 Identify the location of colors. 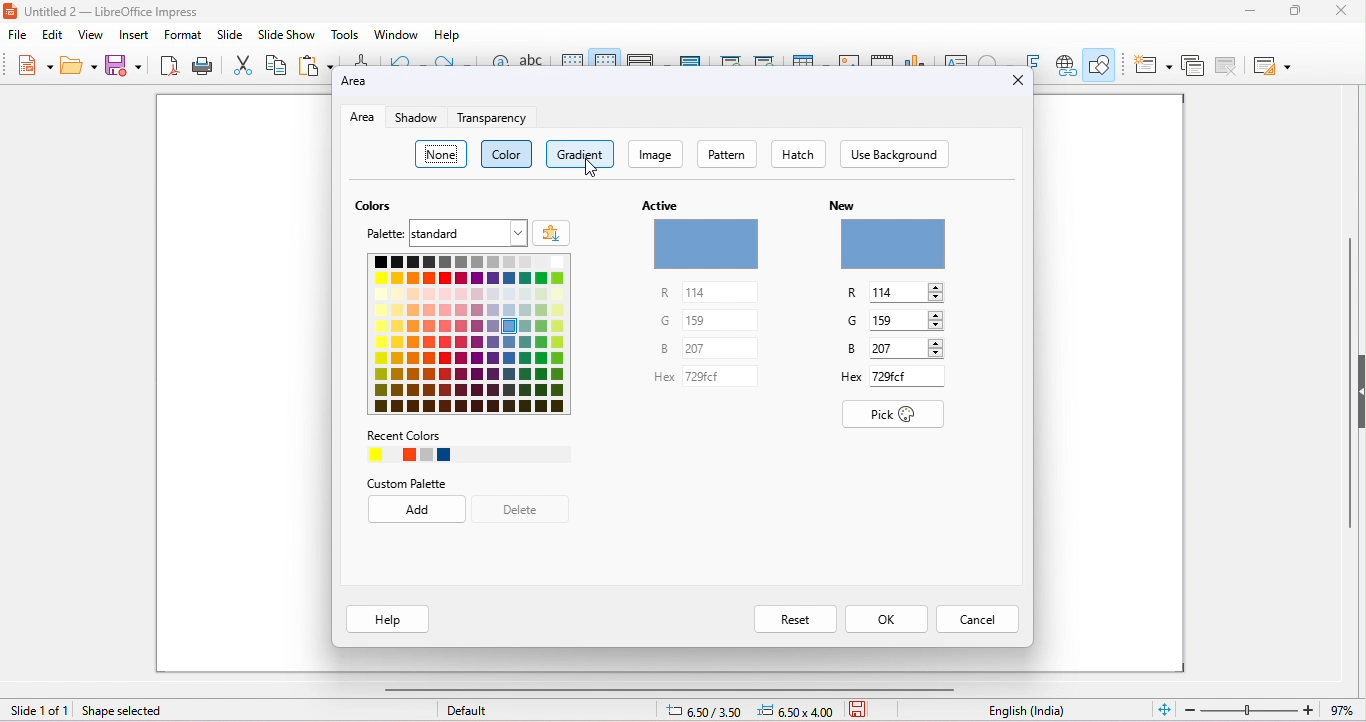
(374, 204).